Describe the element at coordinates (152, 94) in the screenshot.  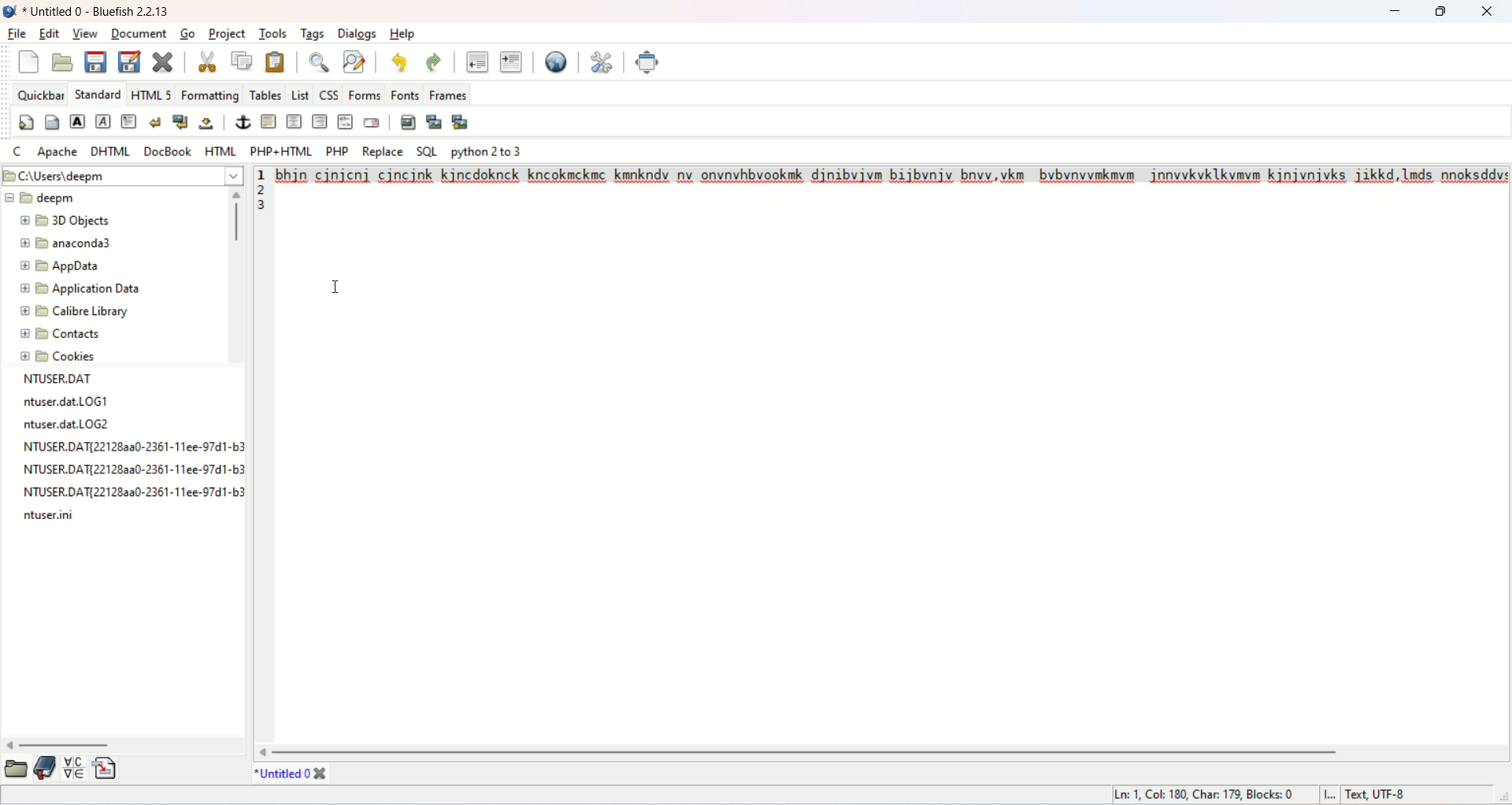
I see `HTML 5` at that location.